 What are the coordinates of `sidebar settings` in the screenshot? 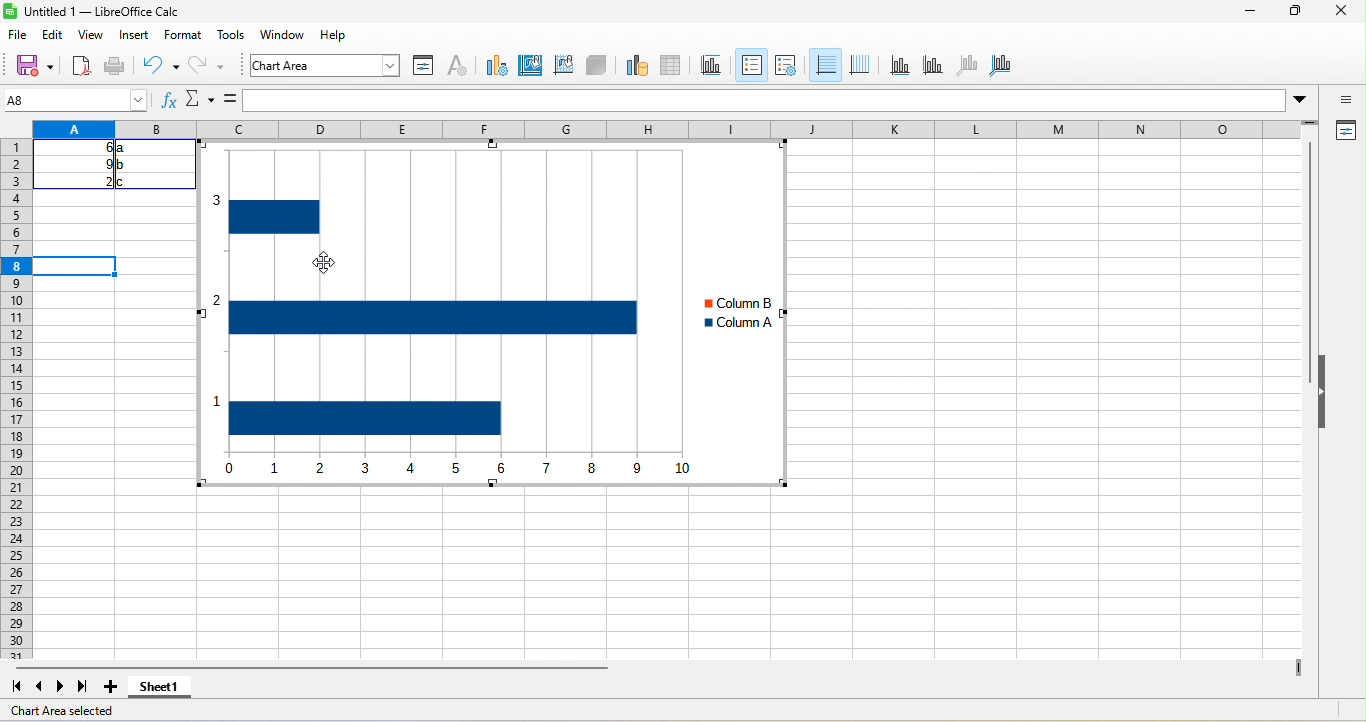 It's located at (1339, 102).